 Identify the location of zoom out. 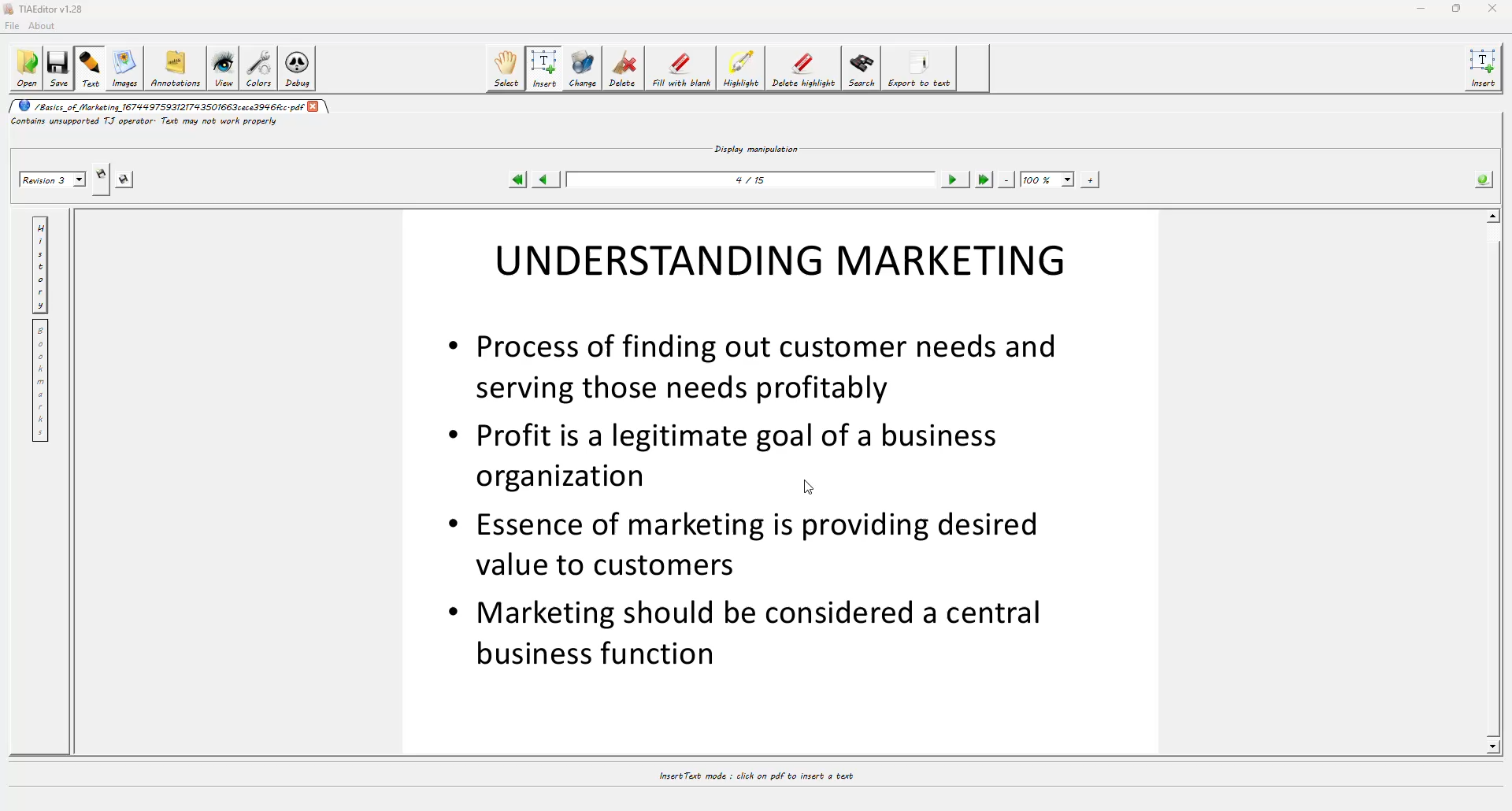
(1007, 179).